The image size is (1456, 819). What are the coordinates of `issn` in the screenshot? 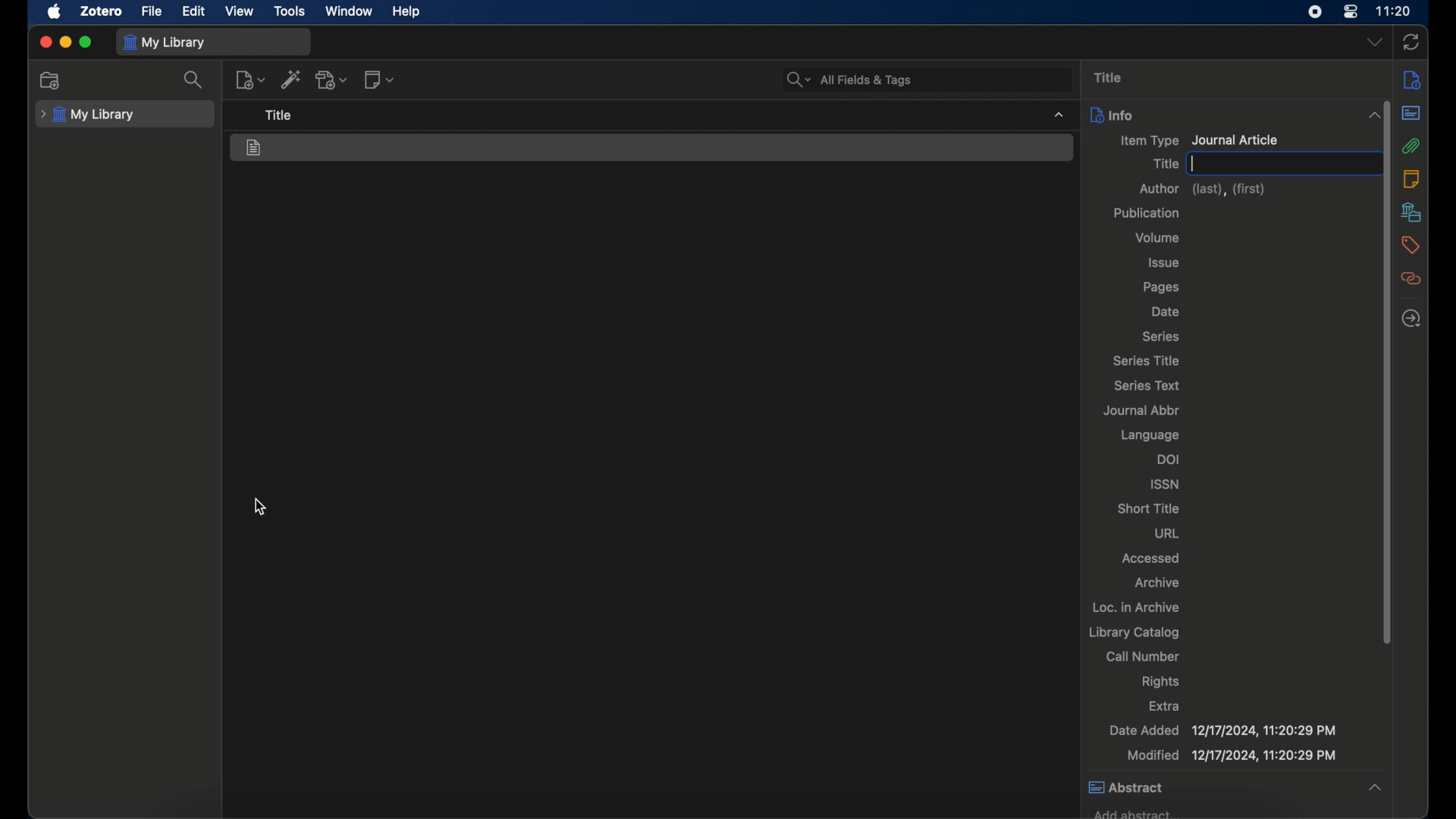 It's located at (1166, 484).